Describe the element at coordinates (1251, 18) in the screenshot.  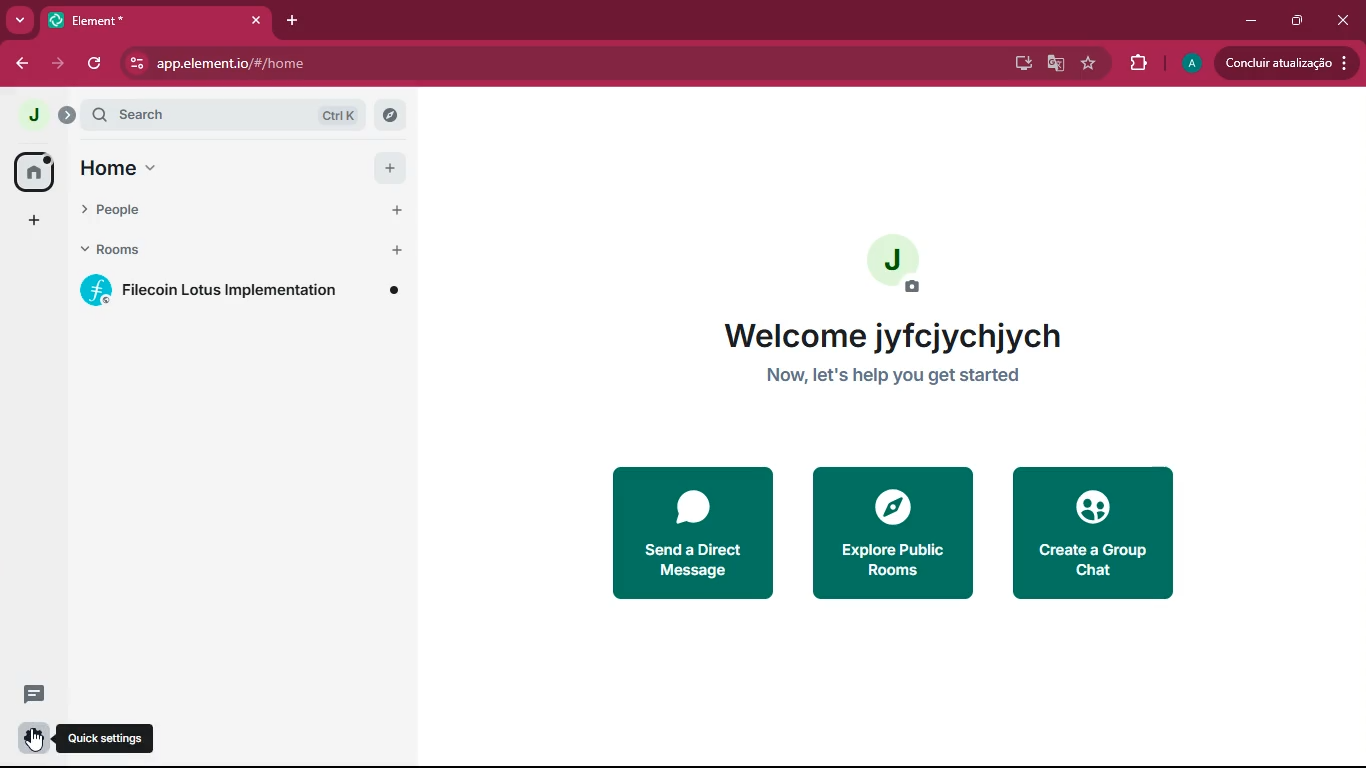
I see `minimize` at that location.